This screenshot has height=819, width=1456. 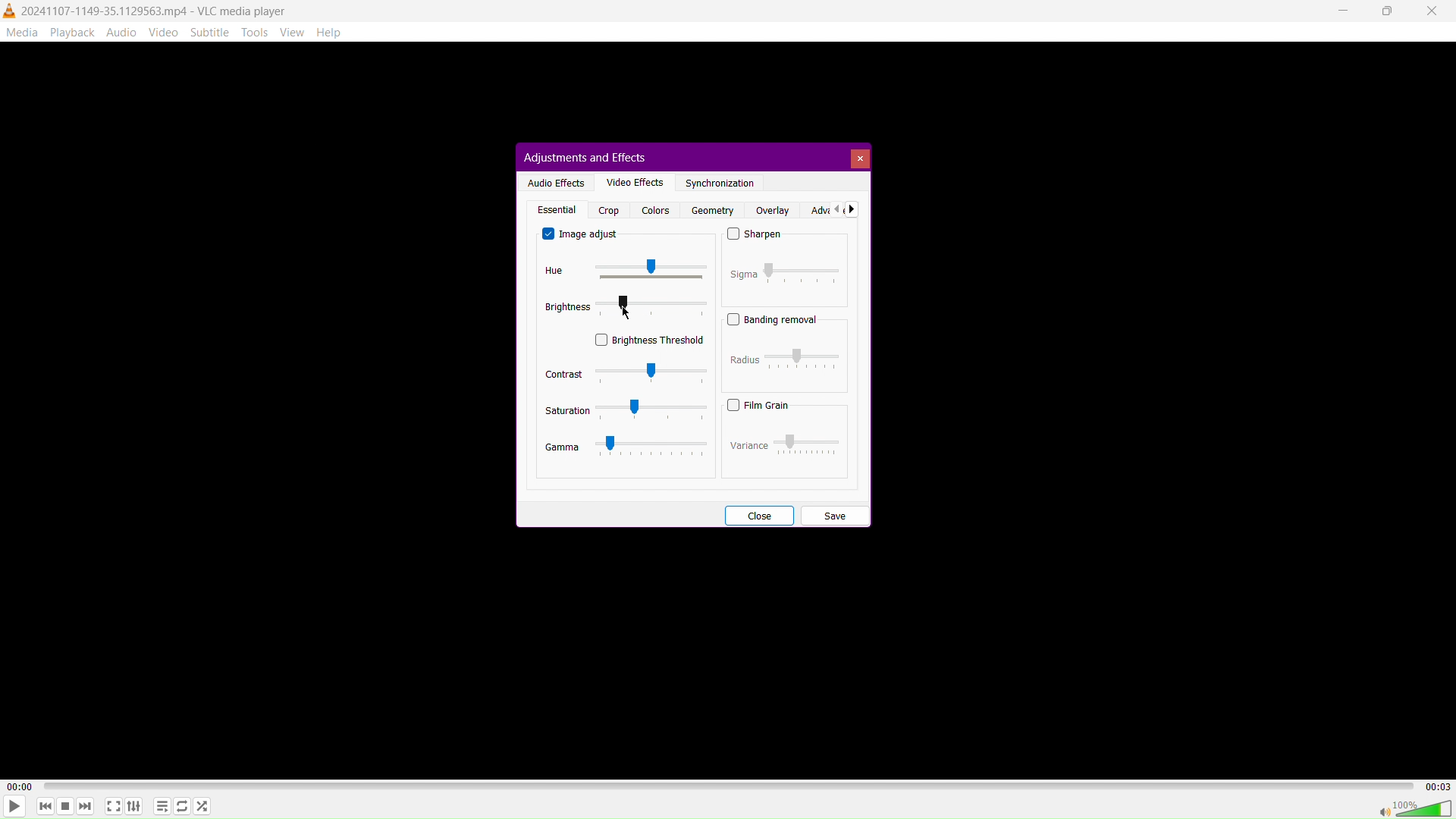 What do you see at coordinates (785, 271) in the screenshot?
I see `Sigma` at bounding box center [785, 271].